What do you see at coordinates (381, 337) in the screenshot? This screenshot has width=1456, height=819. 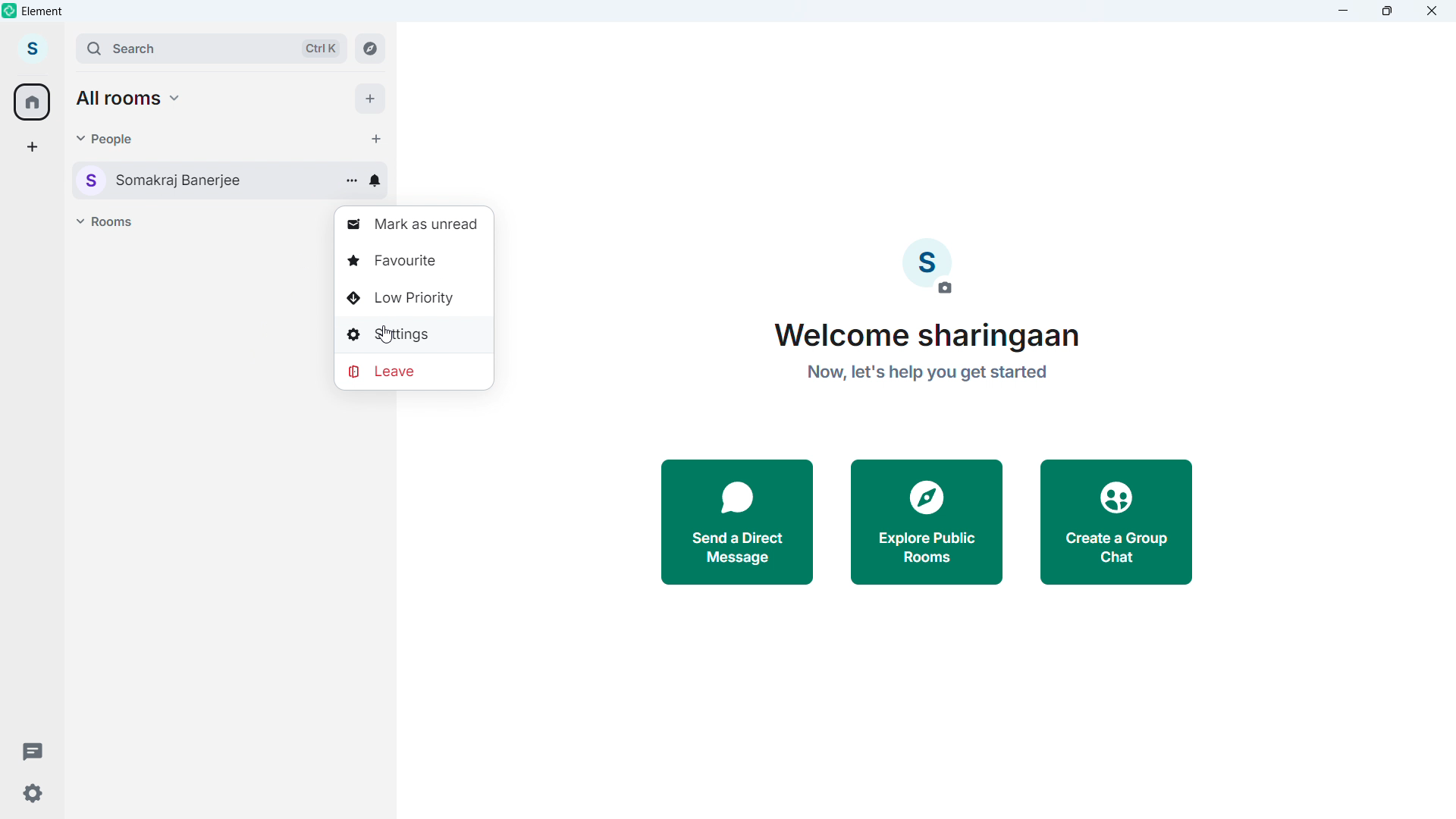 I see `cursor movement` at bounding box center [381, 337].